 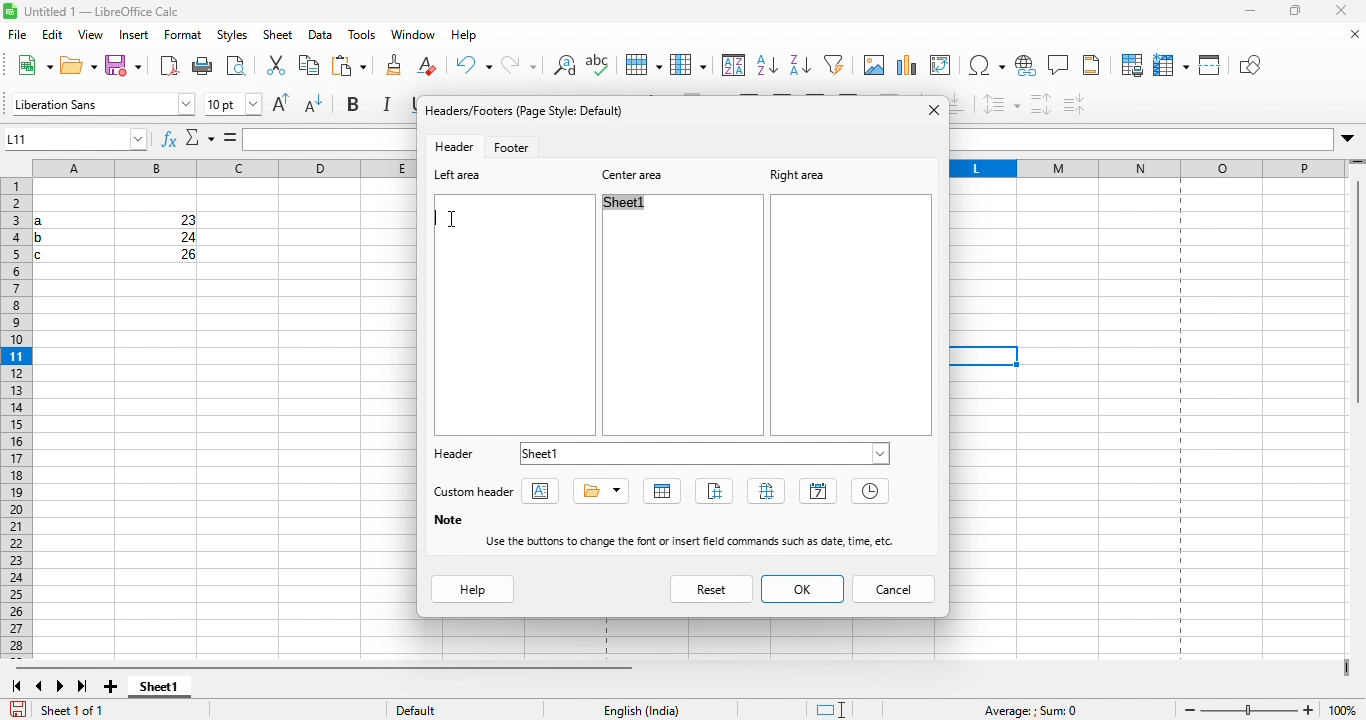 What do you see at coordinates (286, 107) in the screenshot?
I see `increase font size` at bounding box center [286, 107].